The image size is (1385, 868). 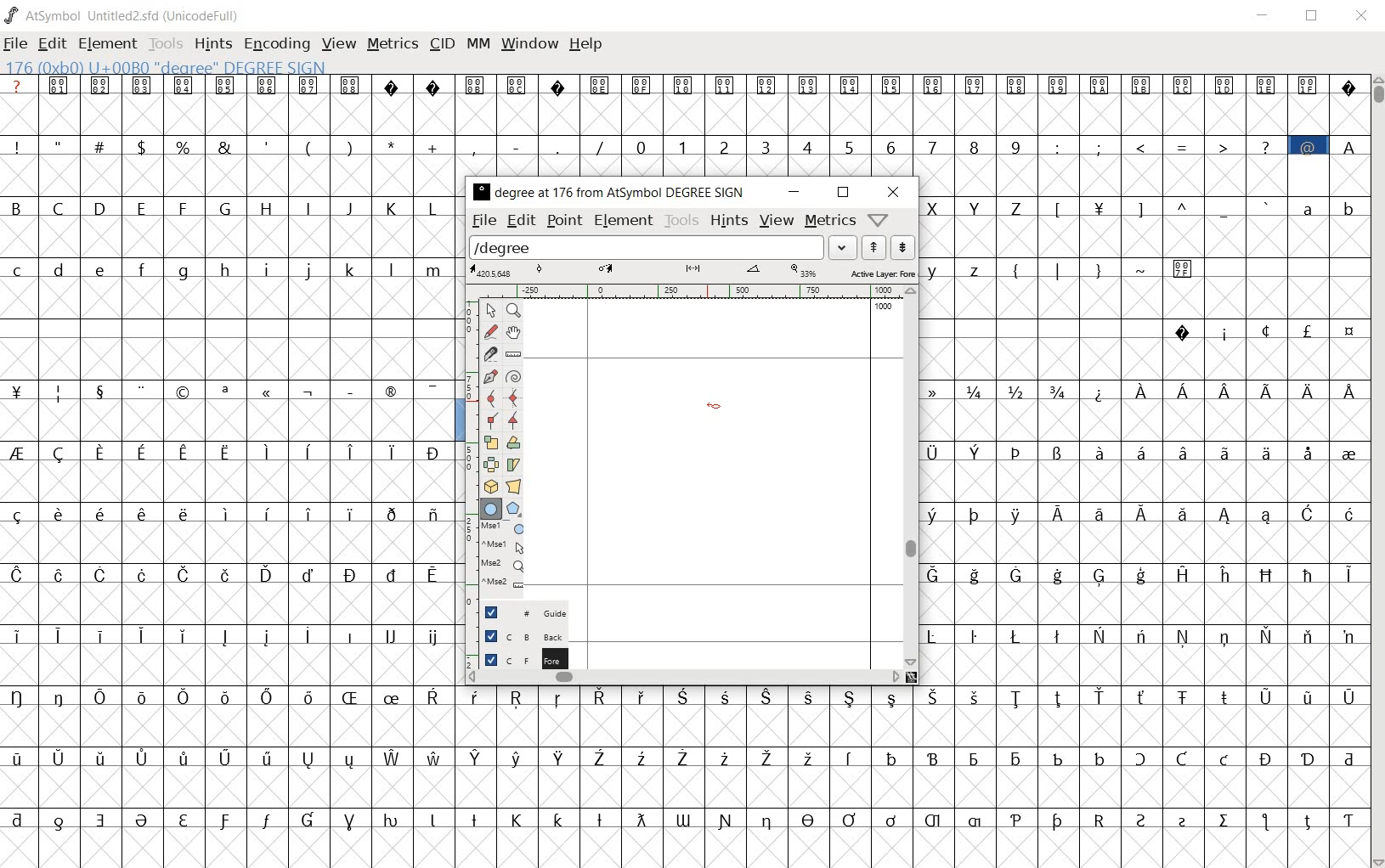 I want to click on encoding, so click(x=277, y=43).